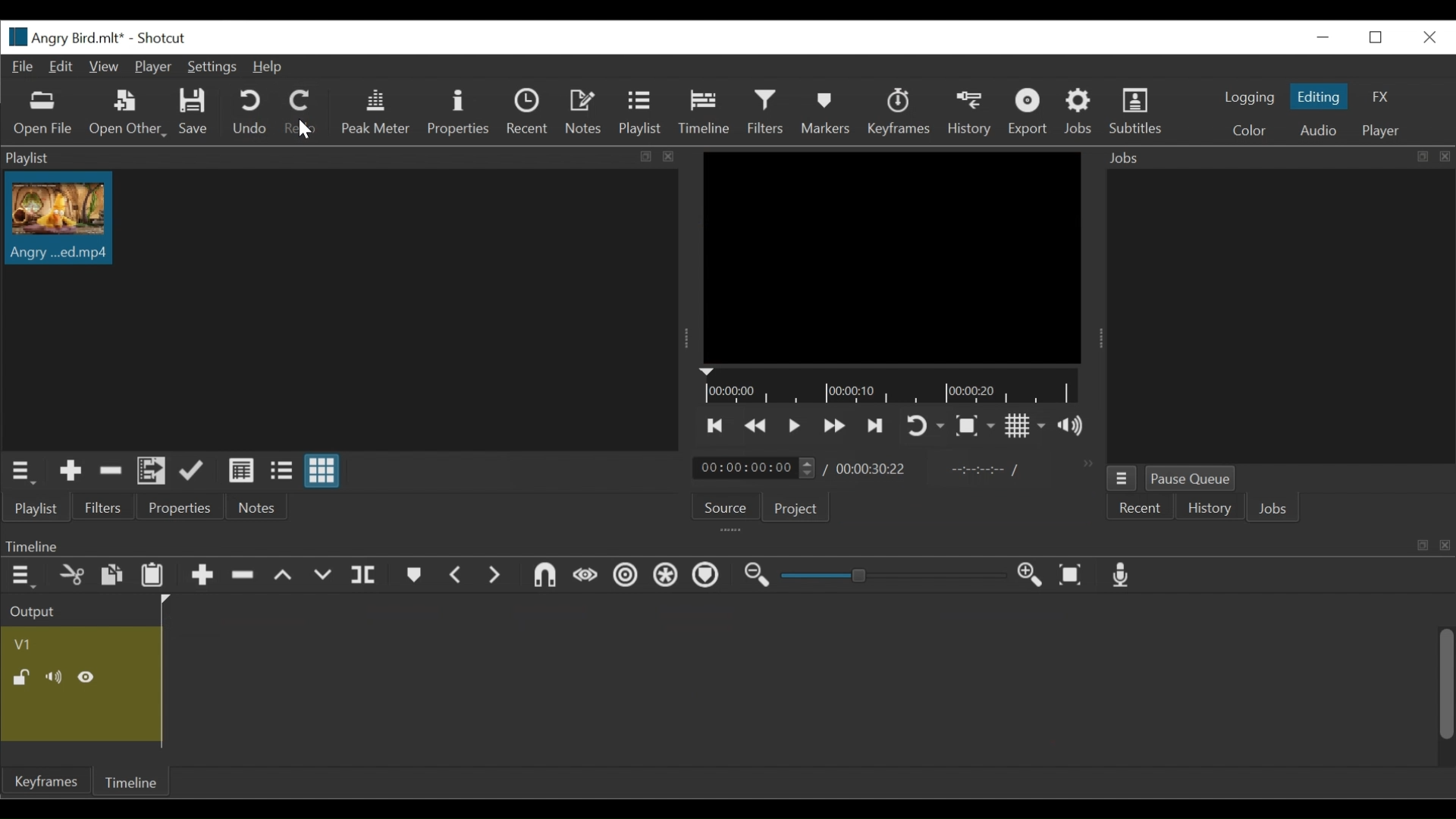  I want to click on Subtitles, so click(1138, 109).